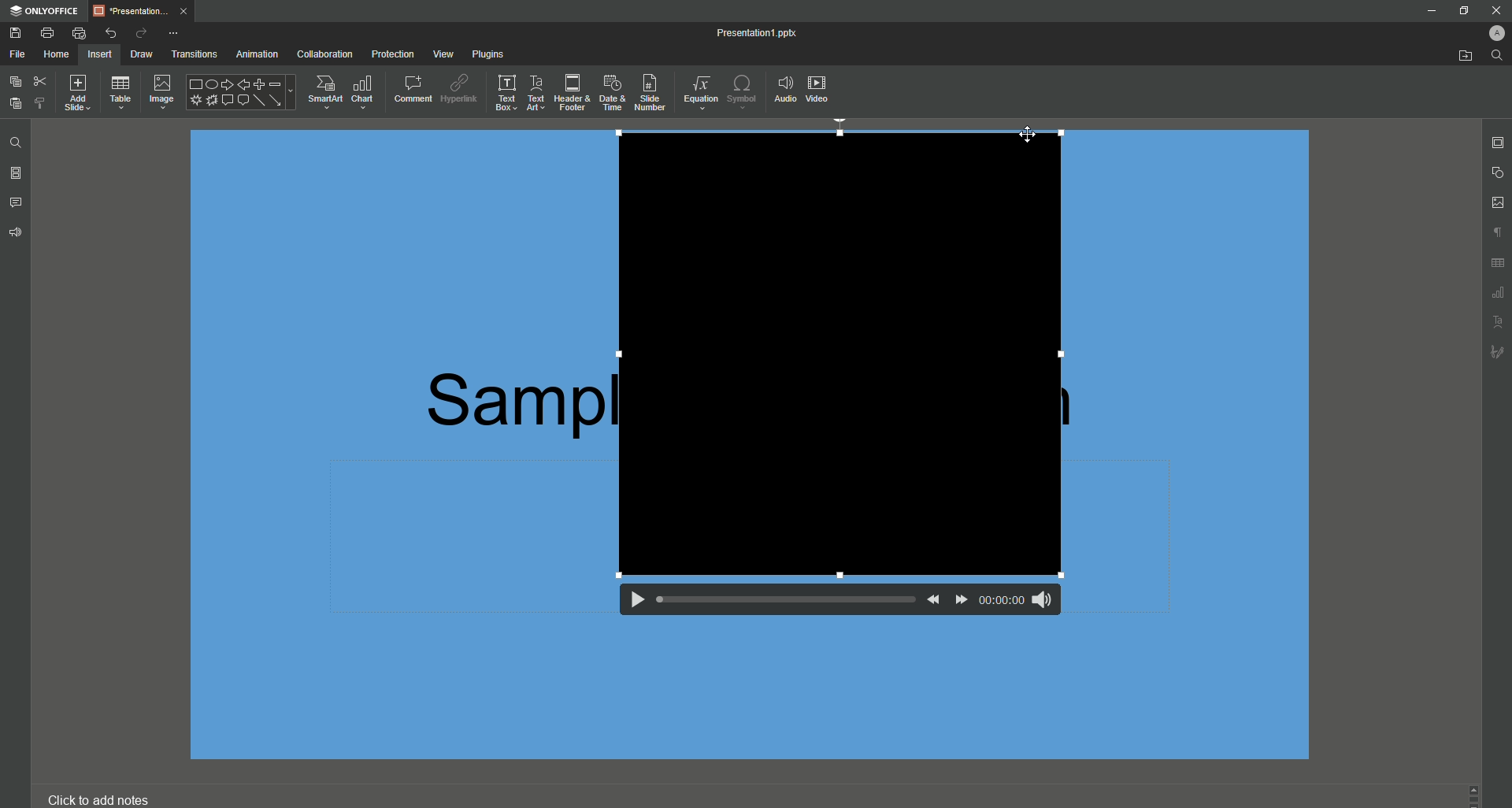 This screenshot has height=808, width=1512. What do you see at coordinates (653, 94) in the screenshot?
I see `Slide Number` at bounding box center [653, 94].